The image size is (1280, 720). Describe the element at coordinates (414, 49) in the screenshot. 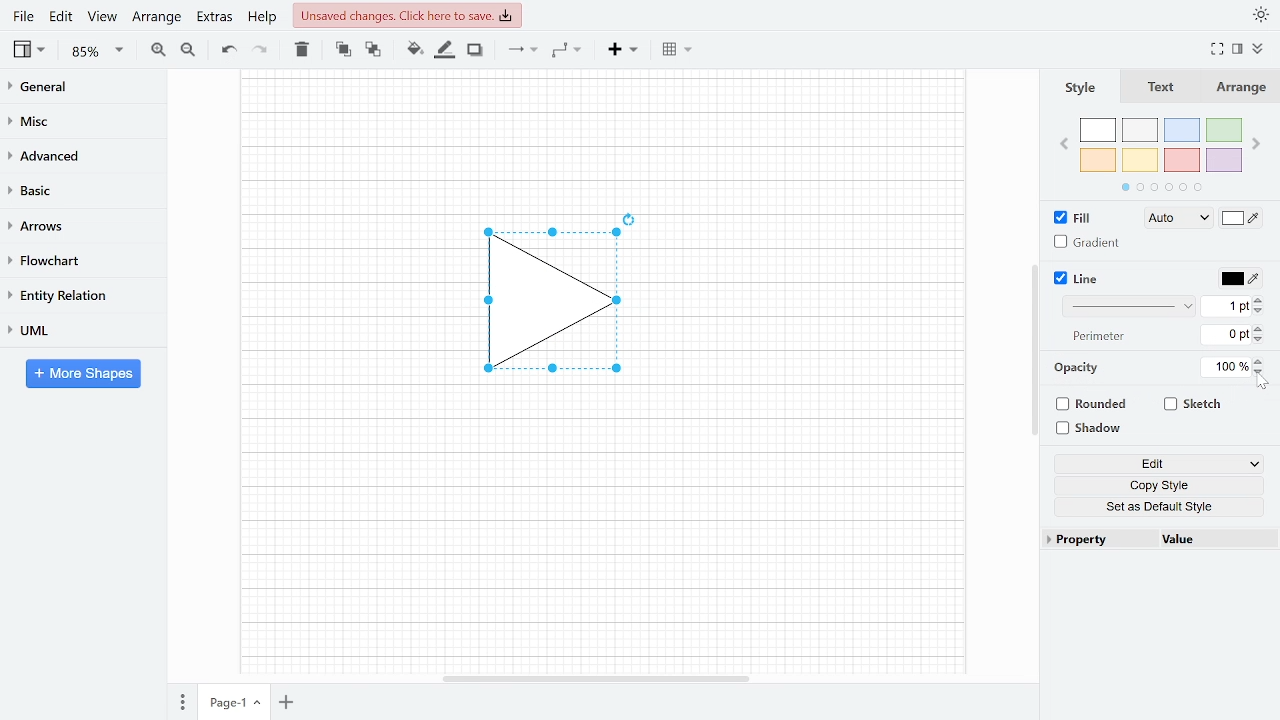

I see `Fill color` at that location.